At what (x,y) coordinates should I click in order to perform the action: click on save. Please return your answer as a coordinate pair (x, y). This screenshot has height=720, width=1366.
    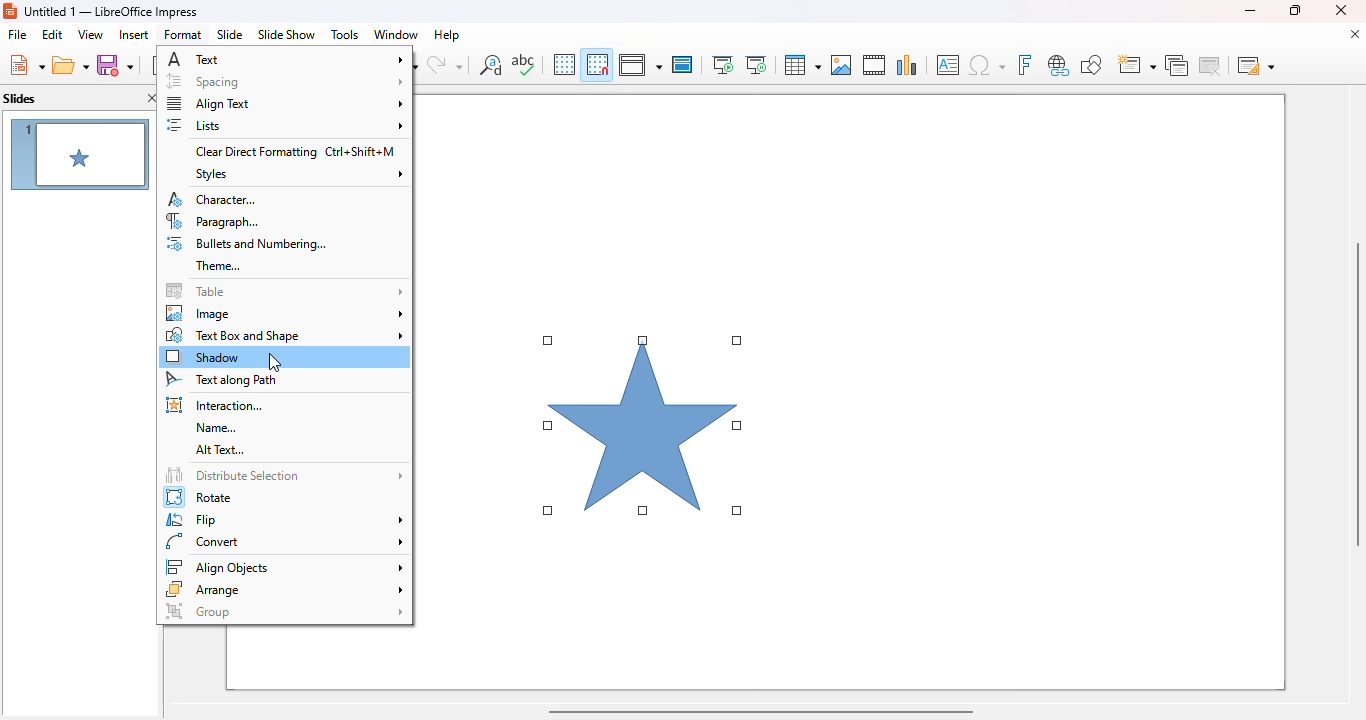
    Looking at the image, I should click on (115, 65).